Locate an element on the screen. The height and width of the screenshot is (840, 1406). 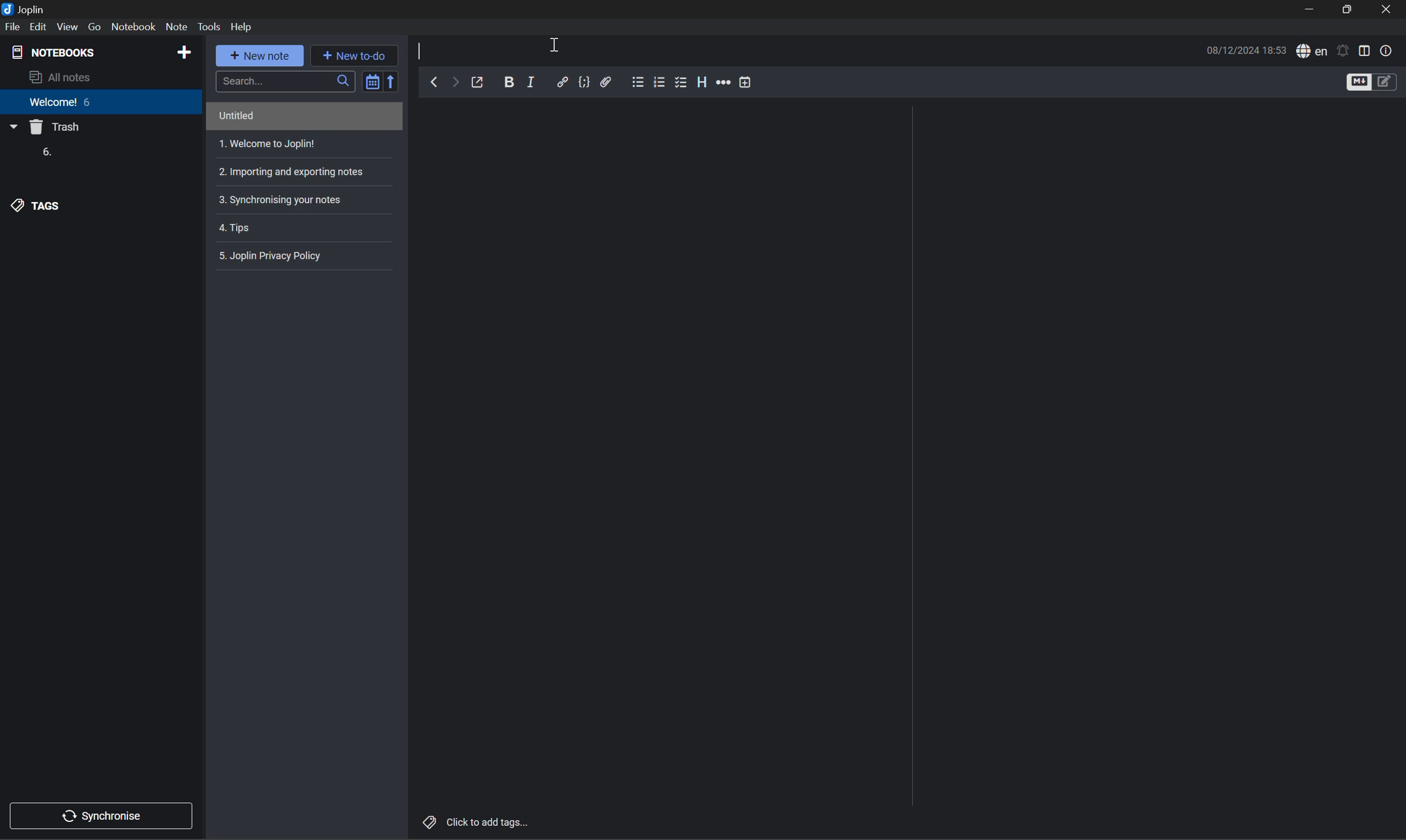
Spell checker is located at coordinates (1310, 51).